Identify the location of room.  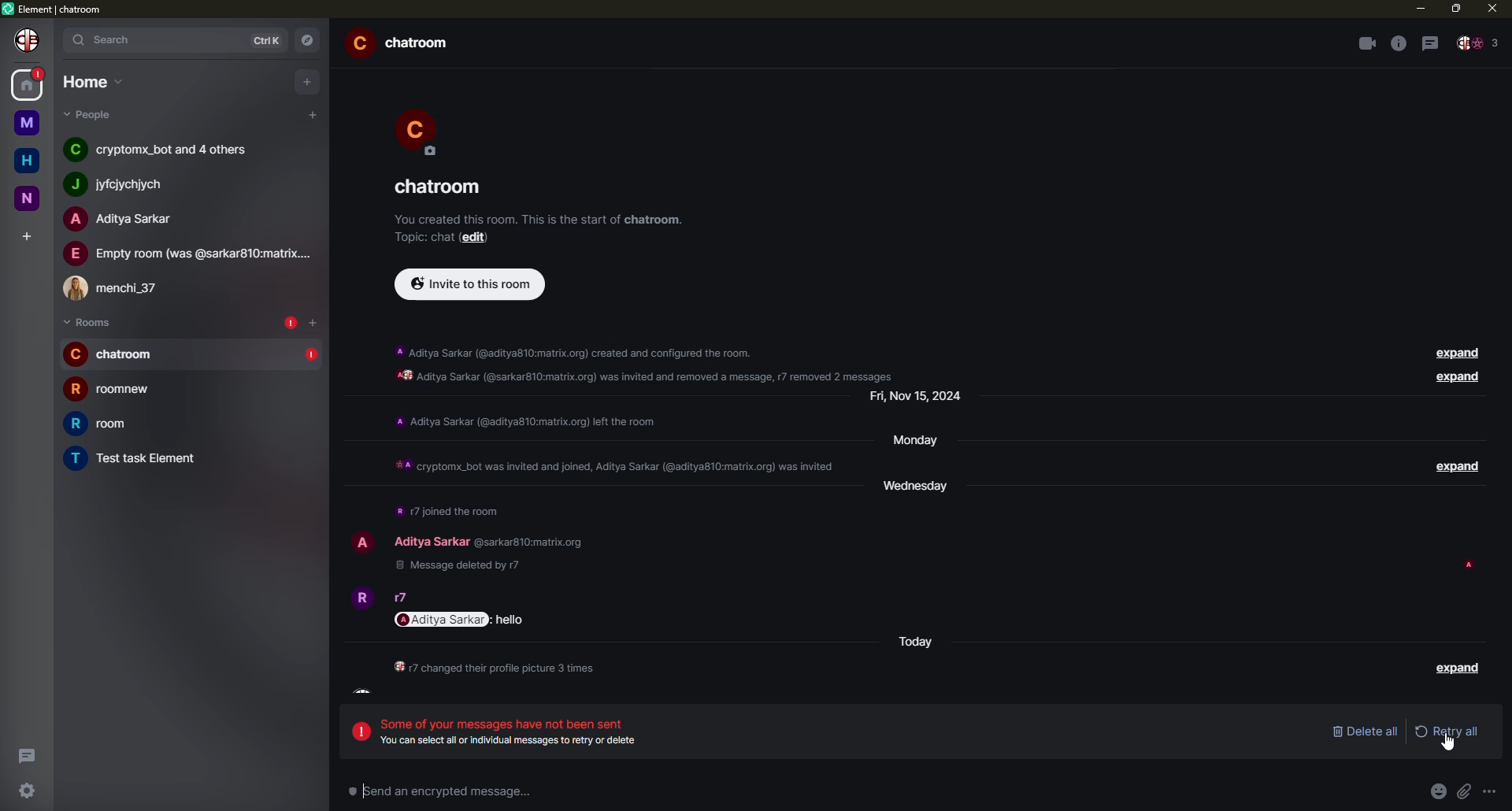
(112, 354).